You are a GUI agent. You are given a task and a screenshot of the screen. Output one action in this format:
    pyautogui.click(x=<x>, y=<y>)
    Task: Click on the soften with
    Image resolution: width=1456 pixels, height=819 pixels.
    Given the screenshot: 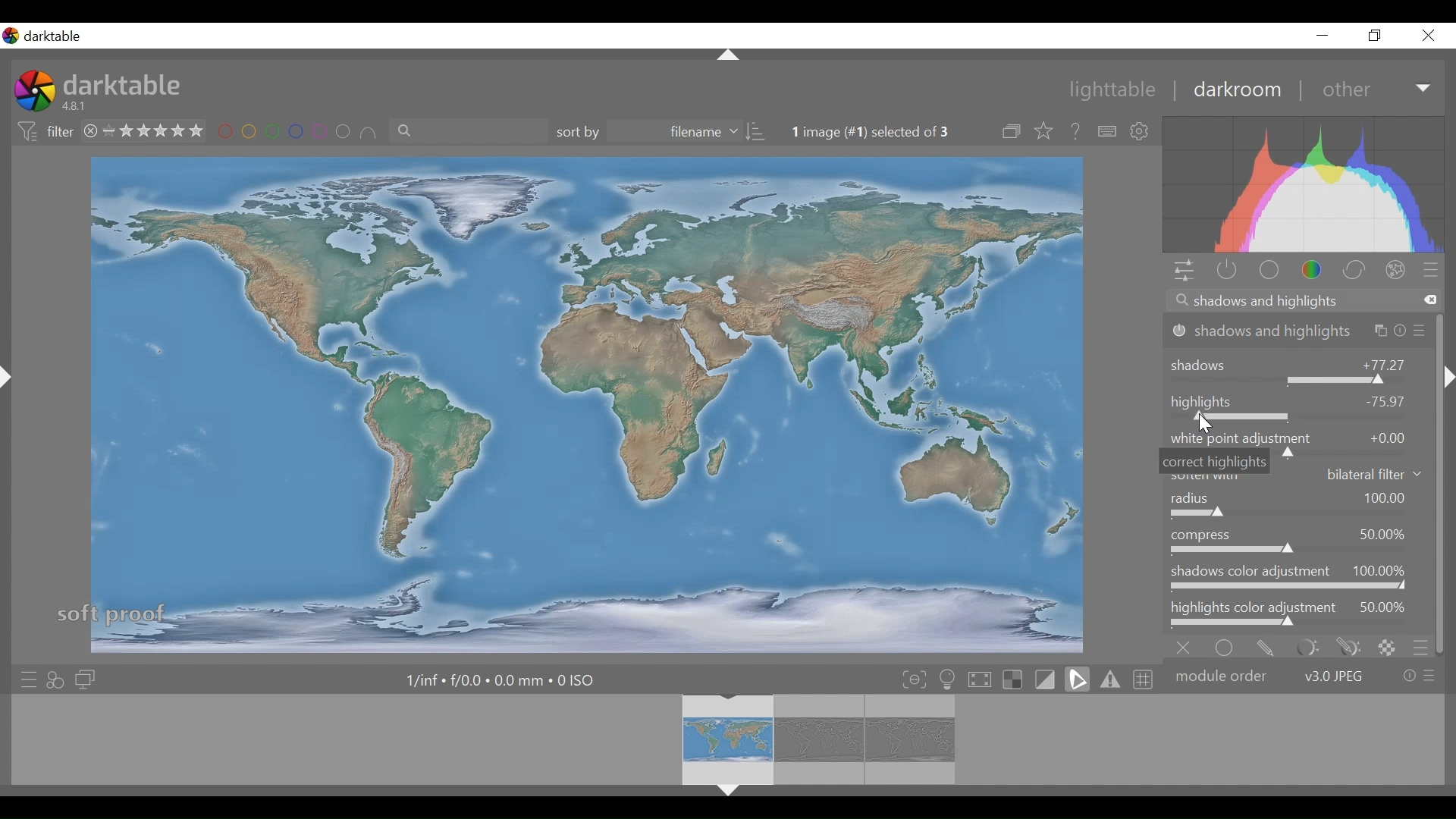 What is the action you would take?
    pyautogui.click(x=1355, y=474)
    